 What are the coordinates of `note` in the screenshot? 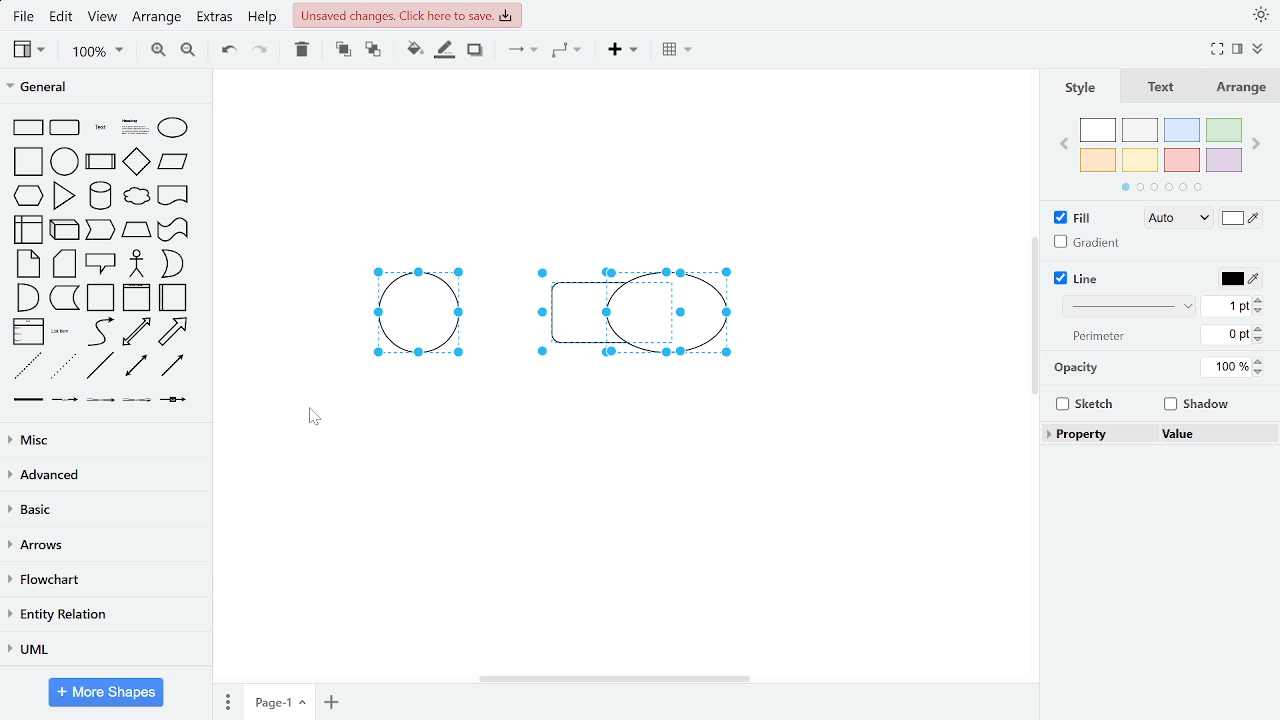 It's located at (28, 264).